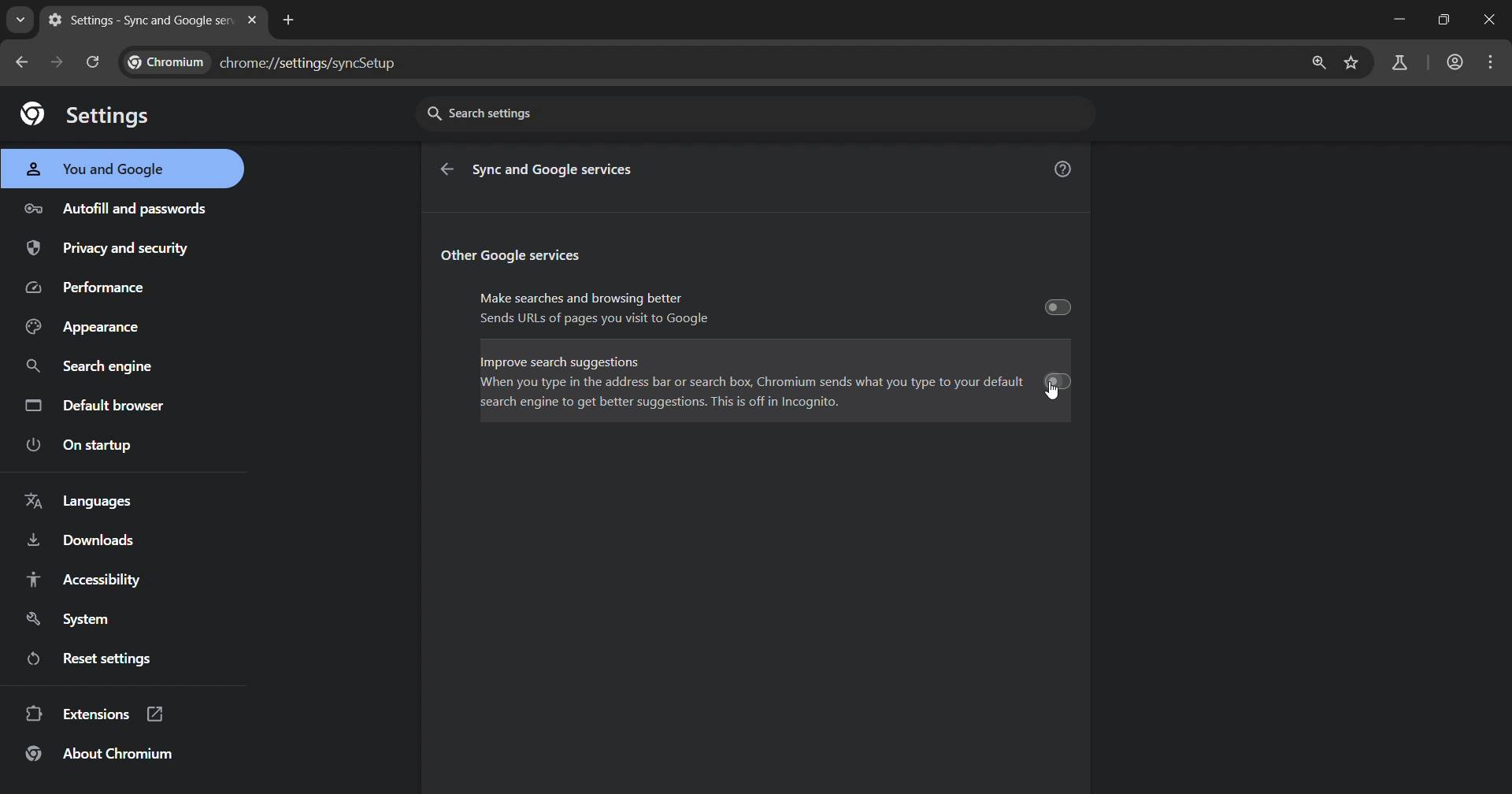 This screenshot has width=1512, height=794. I want to click on autofill and passwords, so click(112, 209).